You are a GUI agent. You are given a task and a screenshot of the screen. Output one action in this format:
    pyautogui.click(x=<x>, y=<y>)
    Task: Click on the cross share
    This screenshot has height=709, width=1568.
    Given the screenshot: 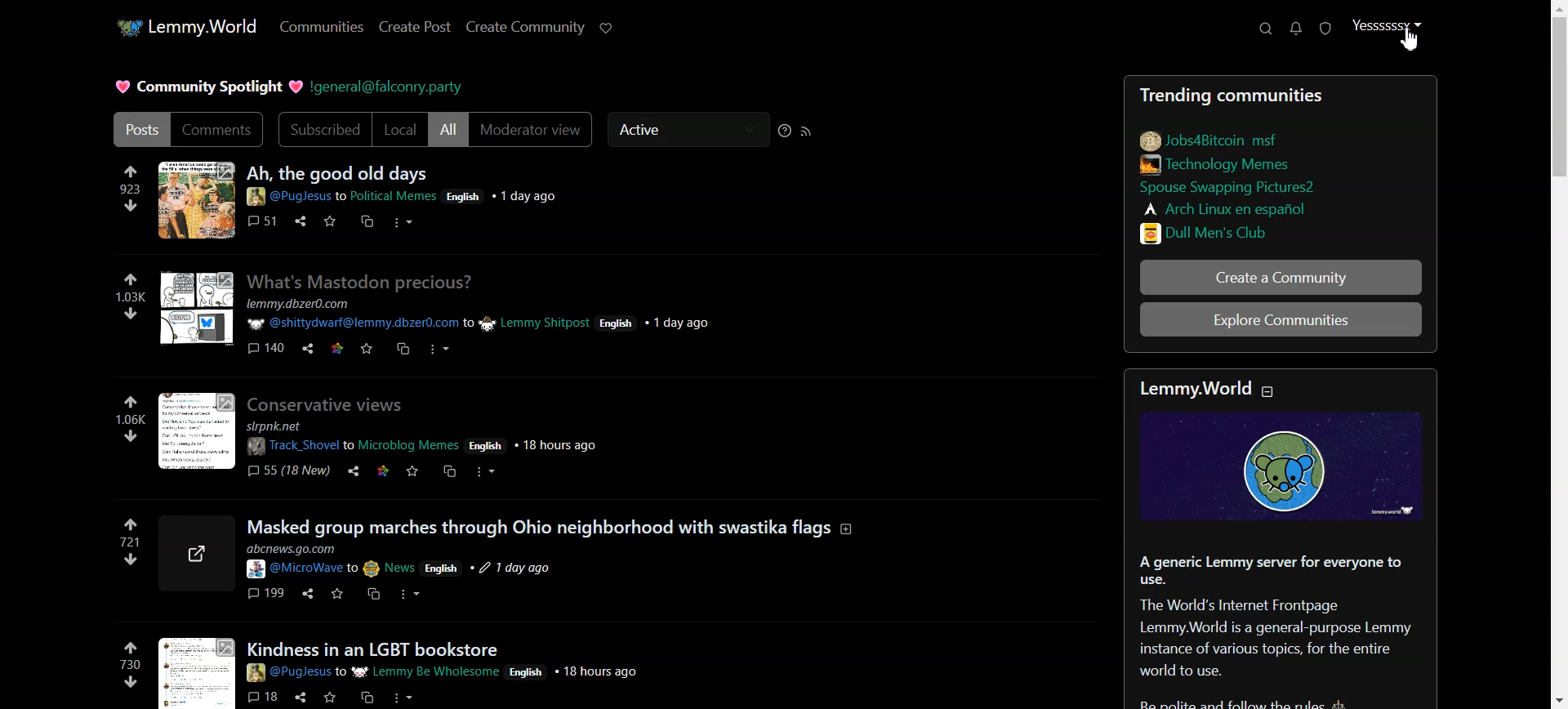 What is the action you would take?
    pyautogui.click(x=363, y=693)
    